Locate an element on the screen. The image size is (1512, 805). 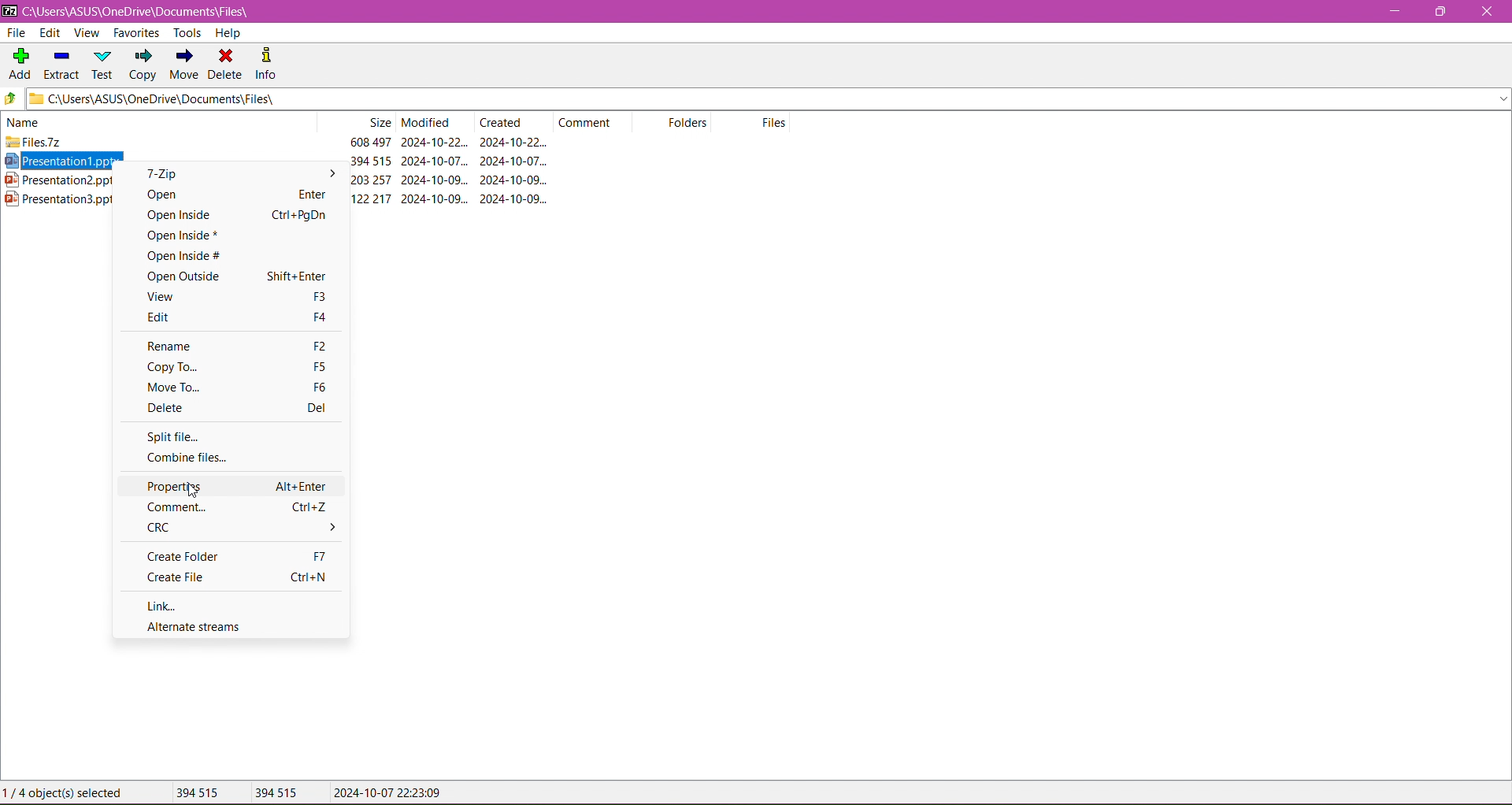
name is located at coordinates (25, 122).